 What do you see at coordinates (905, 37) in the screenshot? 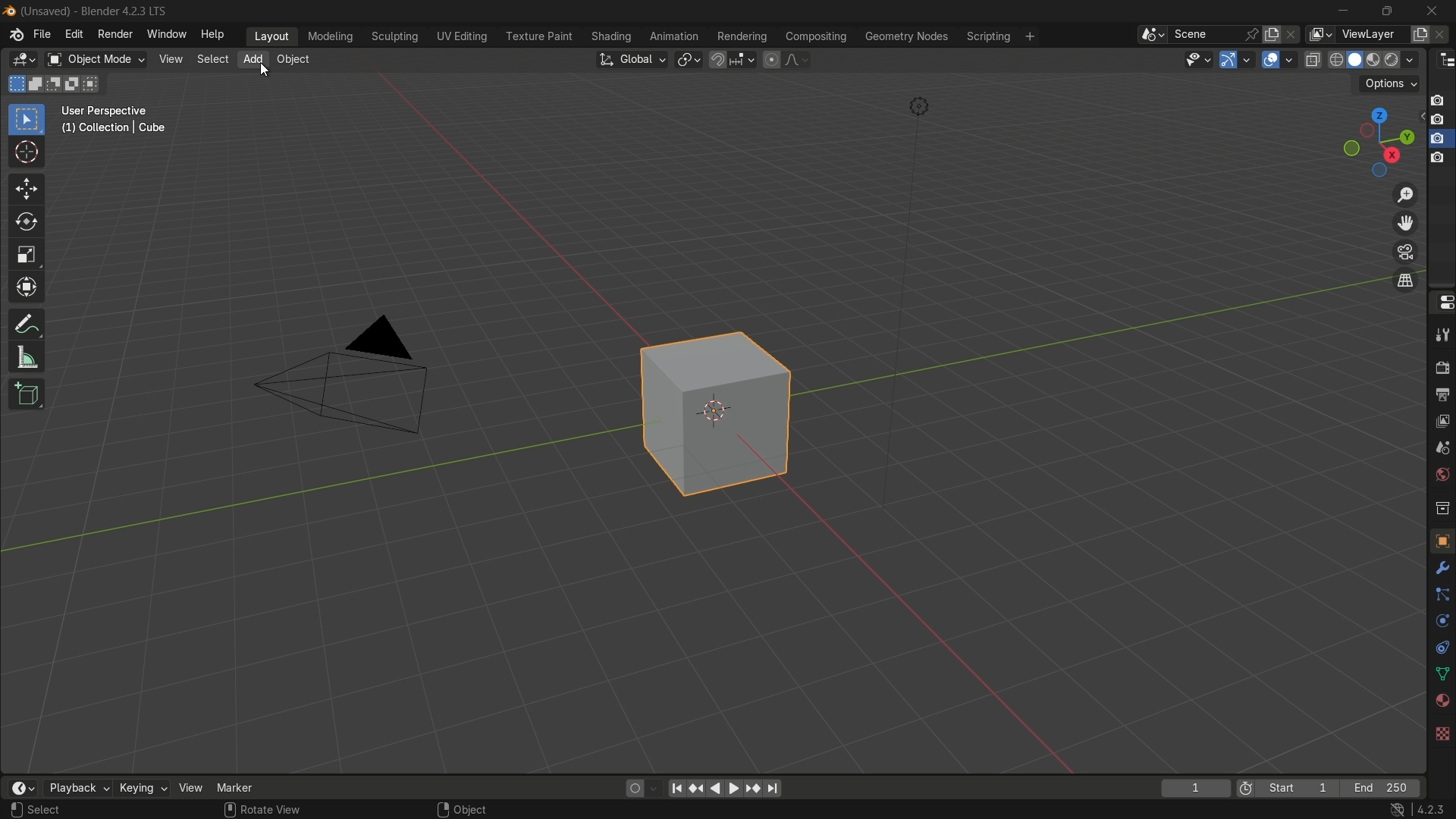
I see `geometry nodes` at bounding box center [905, 37].